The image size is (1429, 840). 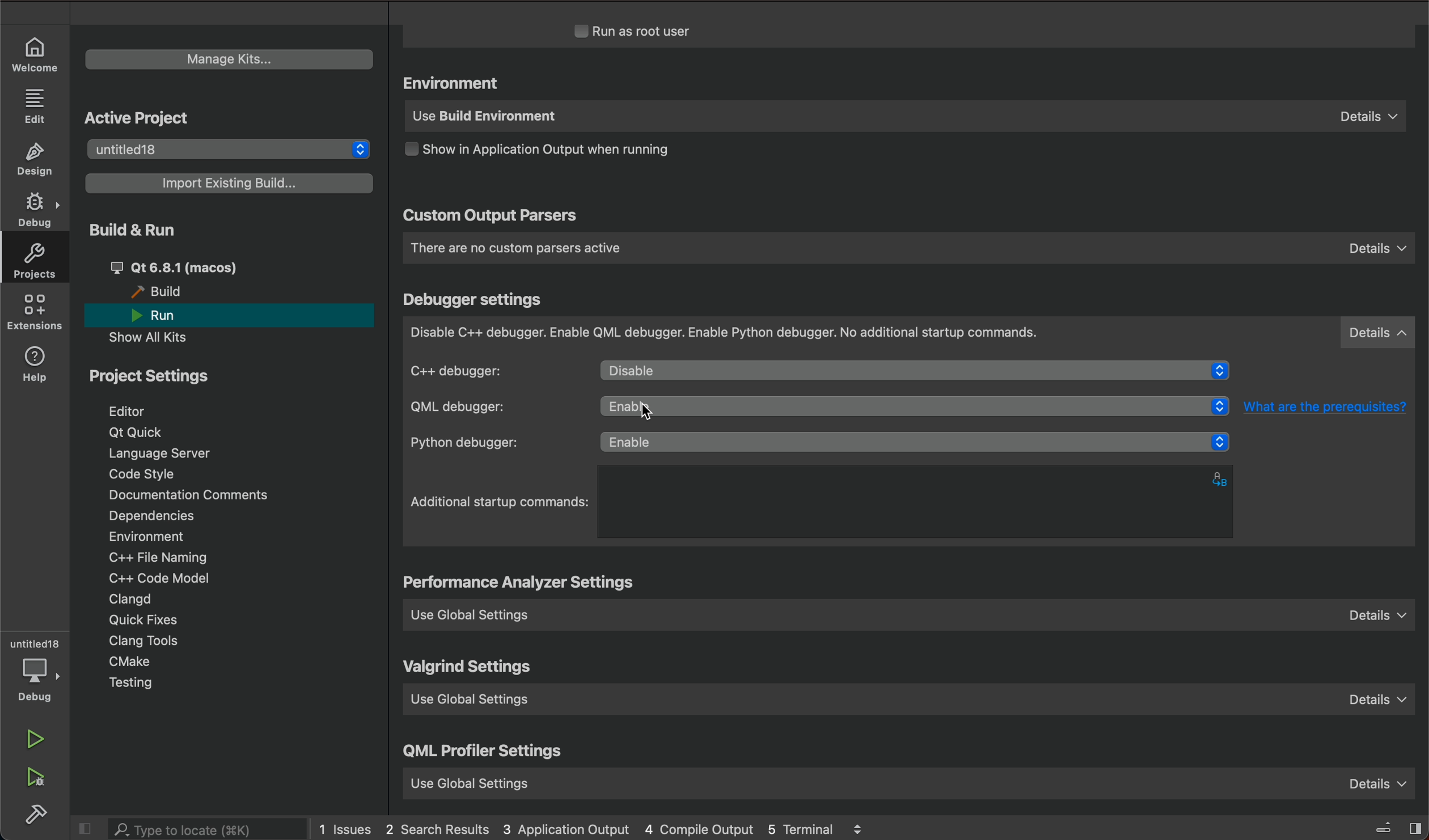 I want to click on build, so click(x=163, y=292).